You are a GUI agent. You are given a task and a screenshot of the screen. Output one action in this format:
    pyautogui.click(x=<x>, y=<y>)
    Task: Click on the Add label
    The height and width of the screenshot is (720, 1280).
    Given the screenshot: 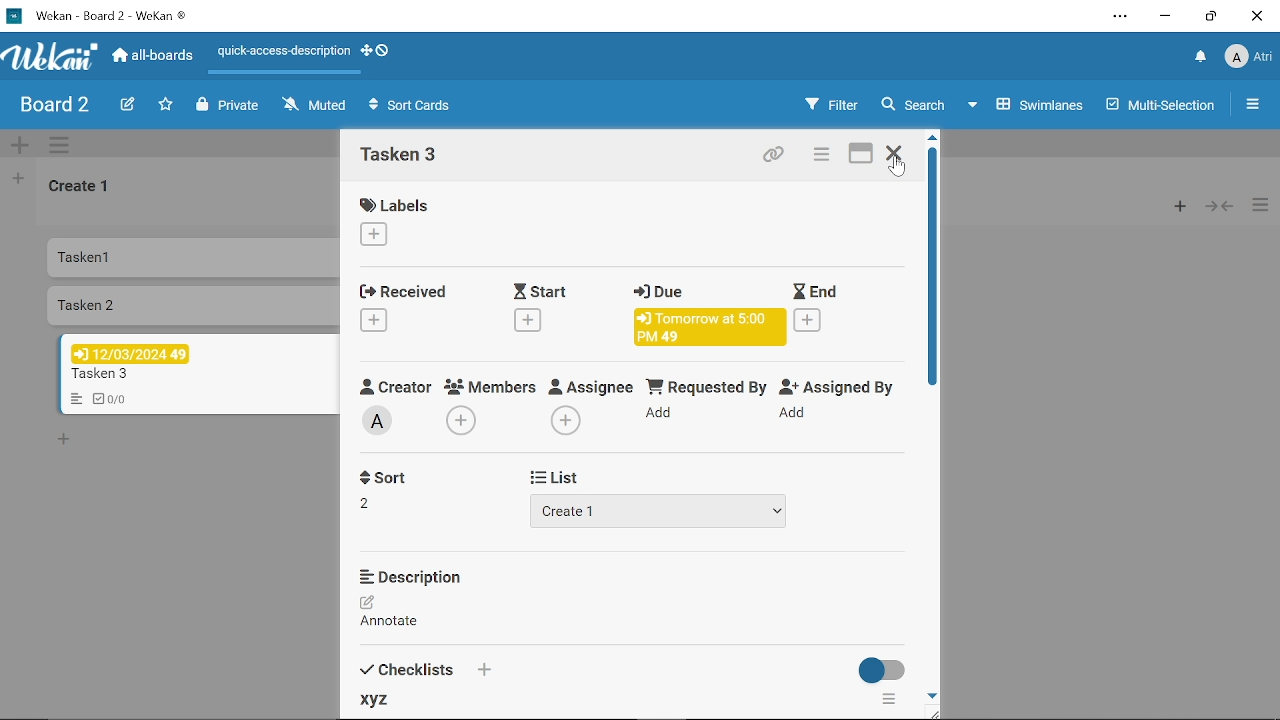 What is the action you would take?
    pyautogui.click(x=373, y=236)
    